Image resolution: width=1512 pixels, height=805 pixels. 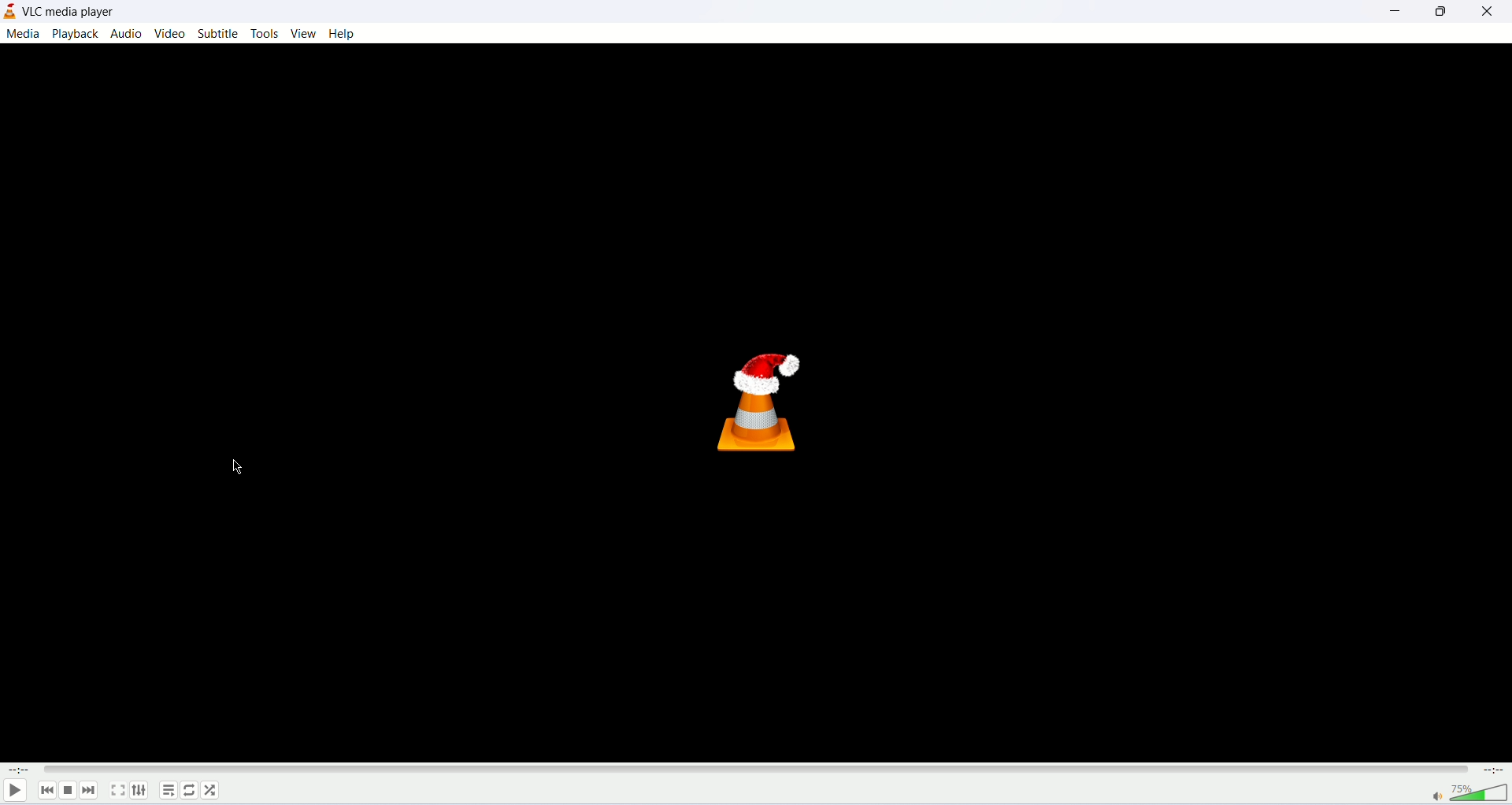 What do you see at coordinates (117, 790) in the screenshot?
I see `fullscreen` at bounding box center [117, 790].